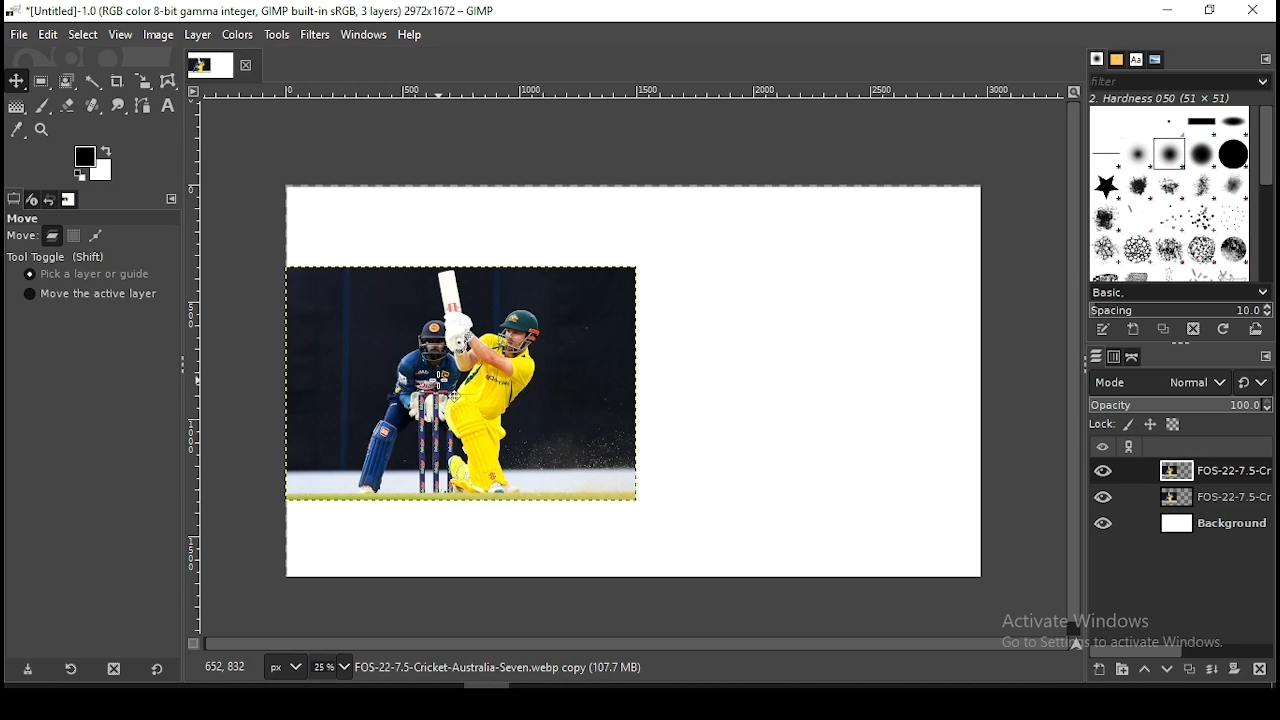  Describe the element at coordinates (1133, 329) in the screenshot. I see `create a new brush` at that location.